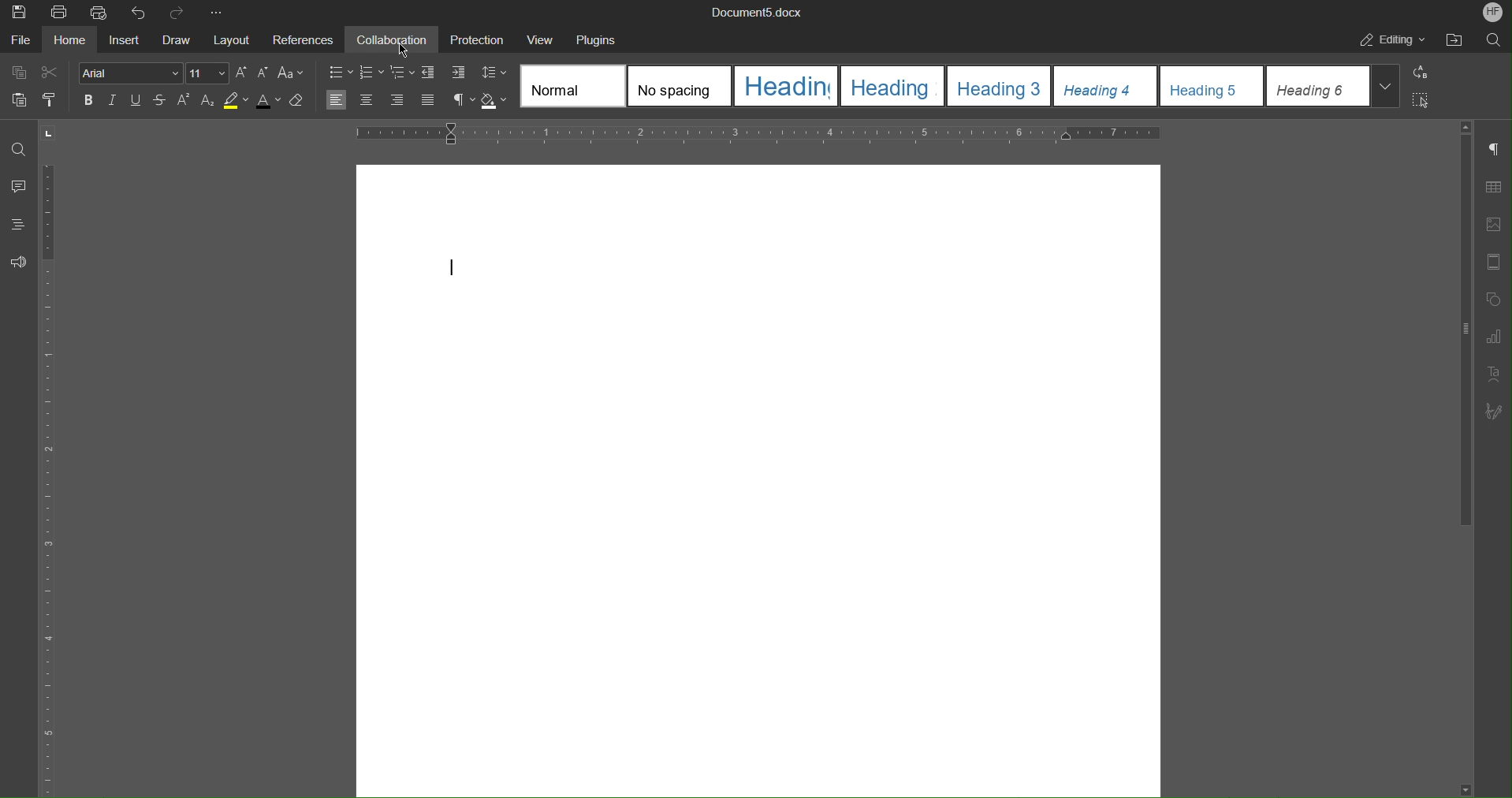 The width and height of the screenshot is (1512, 798). What do you see at coordinates (398, 40) in the screenshot?
I see `Collaboration` at bounding box center [398, 40].